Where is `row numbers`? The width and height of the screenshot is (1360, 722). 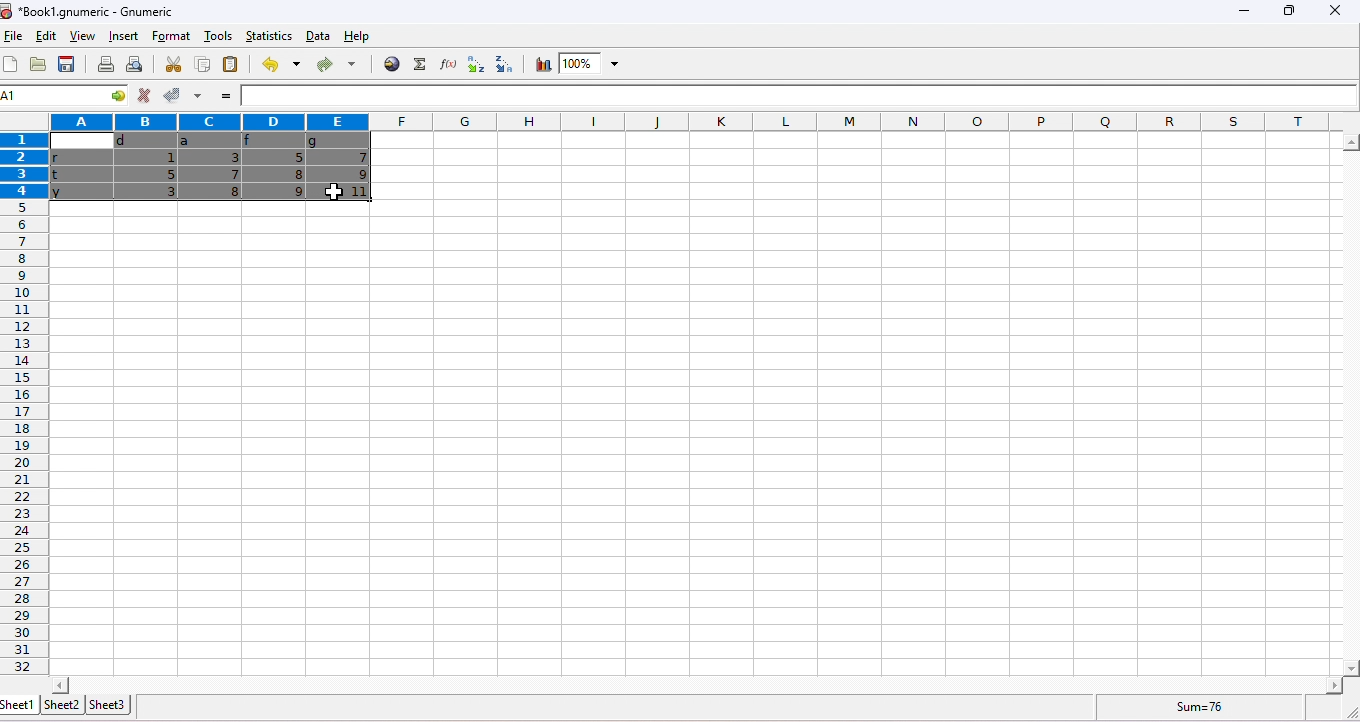
row numbers is located at coordinates (22, 404).